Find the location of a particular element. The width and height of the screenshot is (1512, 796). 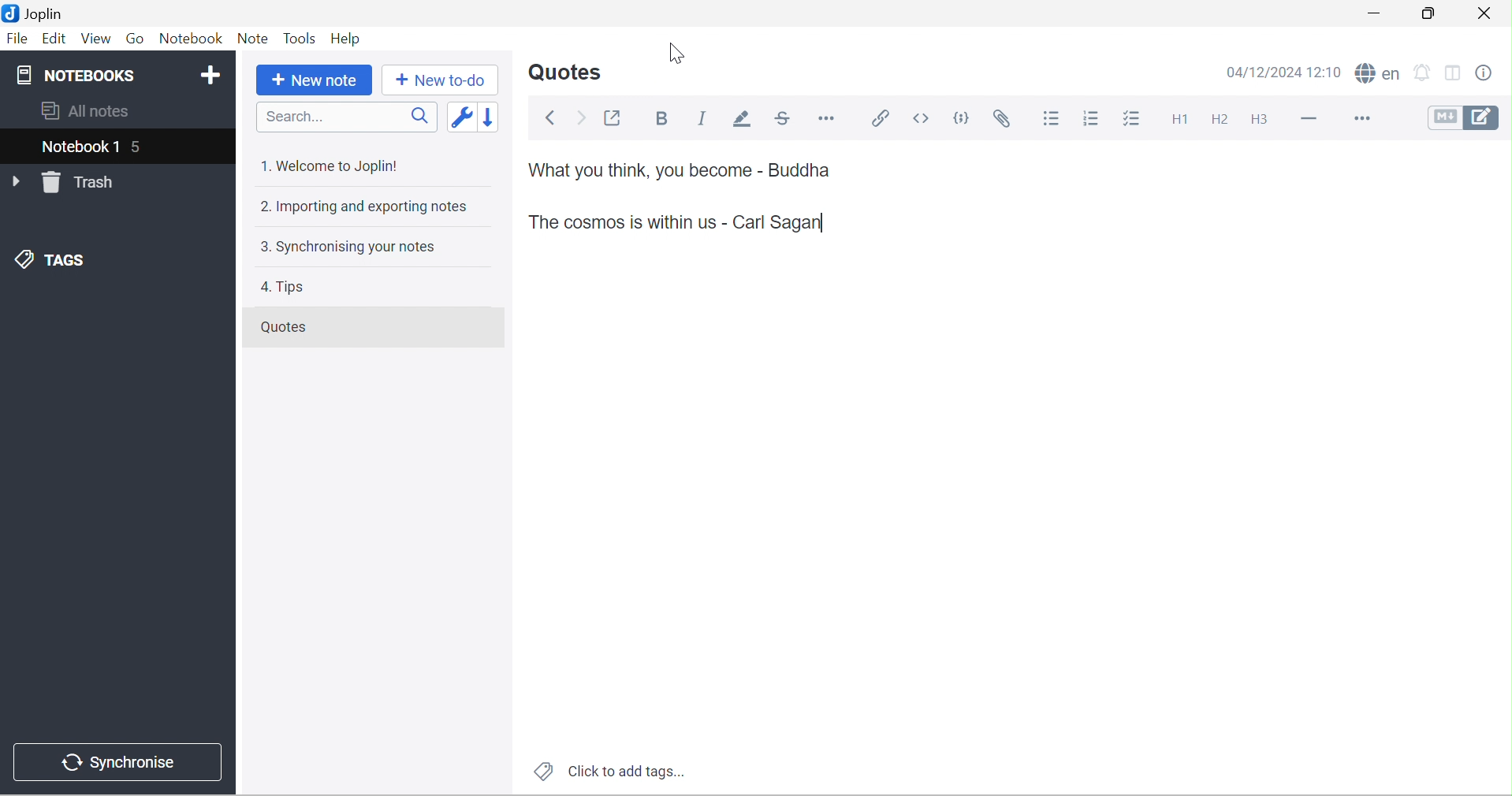

NOTEBOOKS is located at coordinates (80, 75).